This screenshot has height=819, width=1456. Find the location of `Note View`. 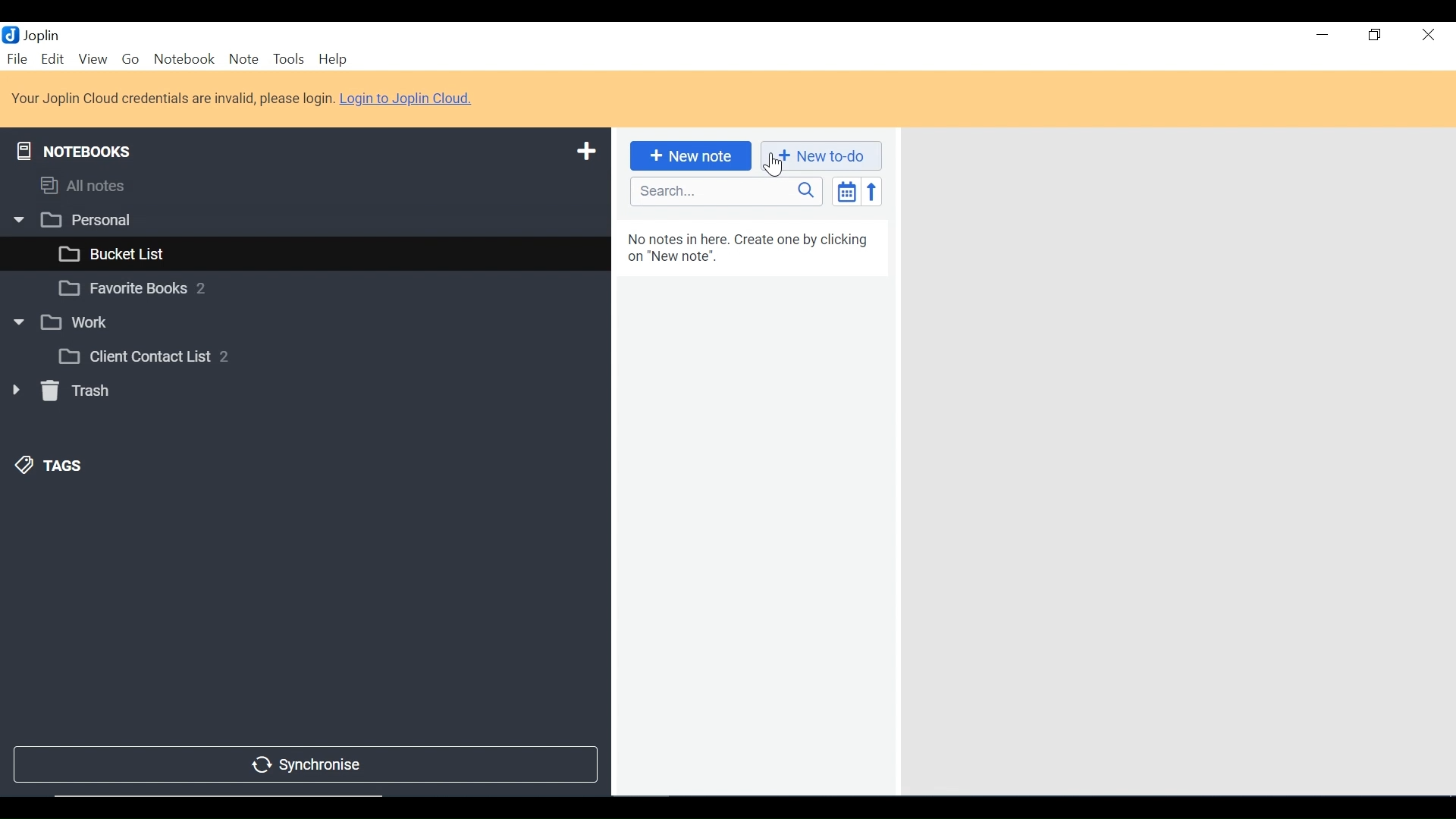

Note View is located at coordinates (1175, 460).